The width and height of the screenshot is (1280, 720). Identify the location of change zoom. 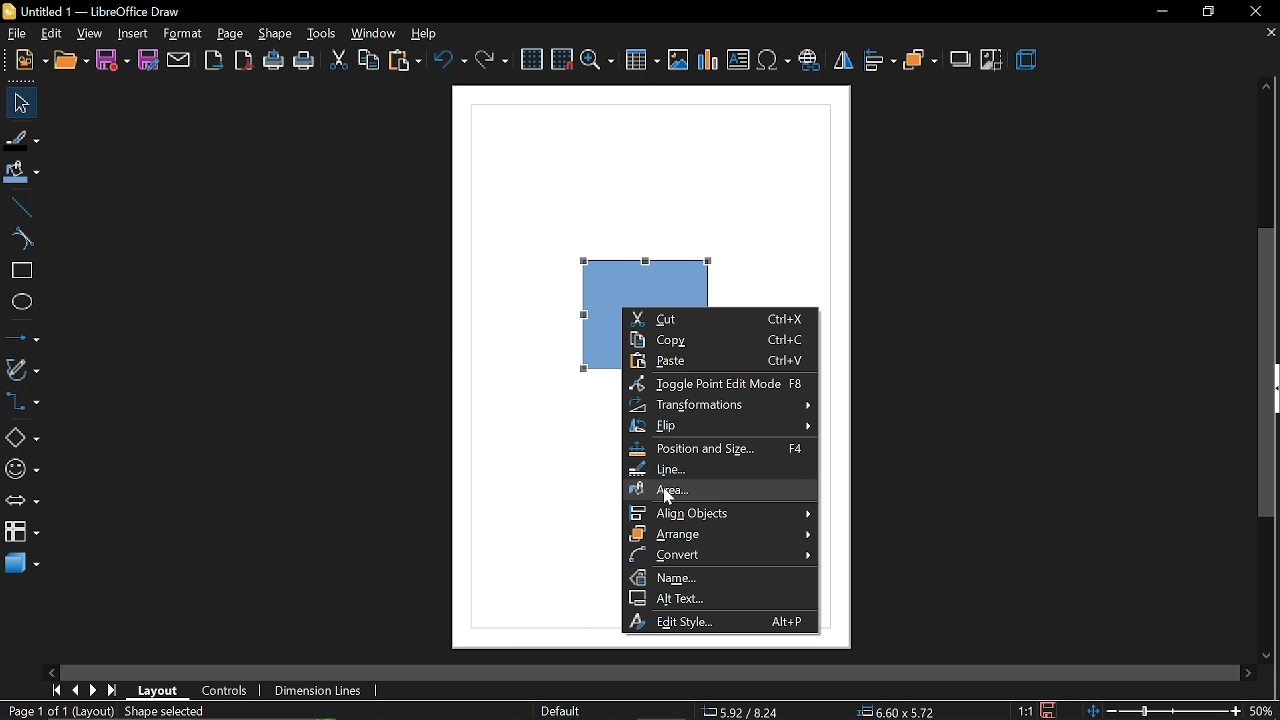
(1182, 712).